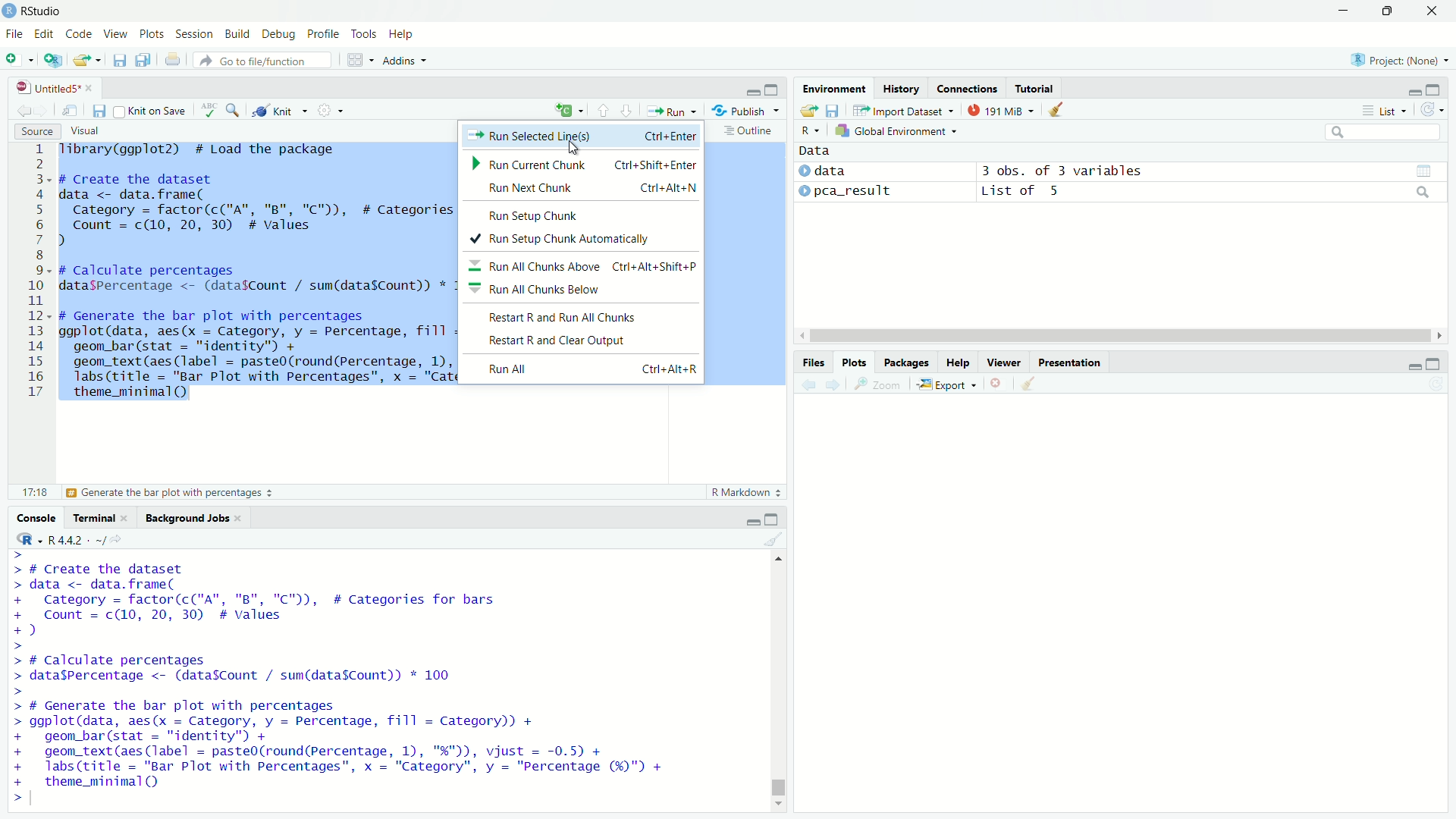 This screenshot has height=819, width=1456. I want to click on show in new window, so click(71, 111).